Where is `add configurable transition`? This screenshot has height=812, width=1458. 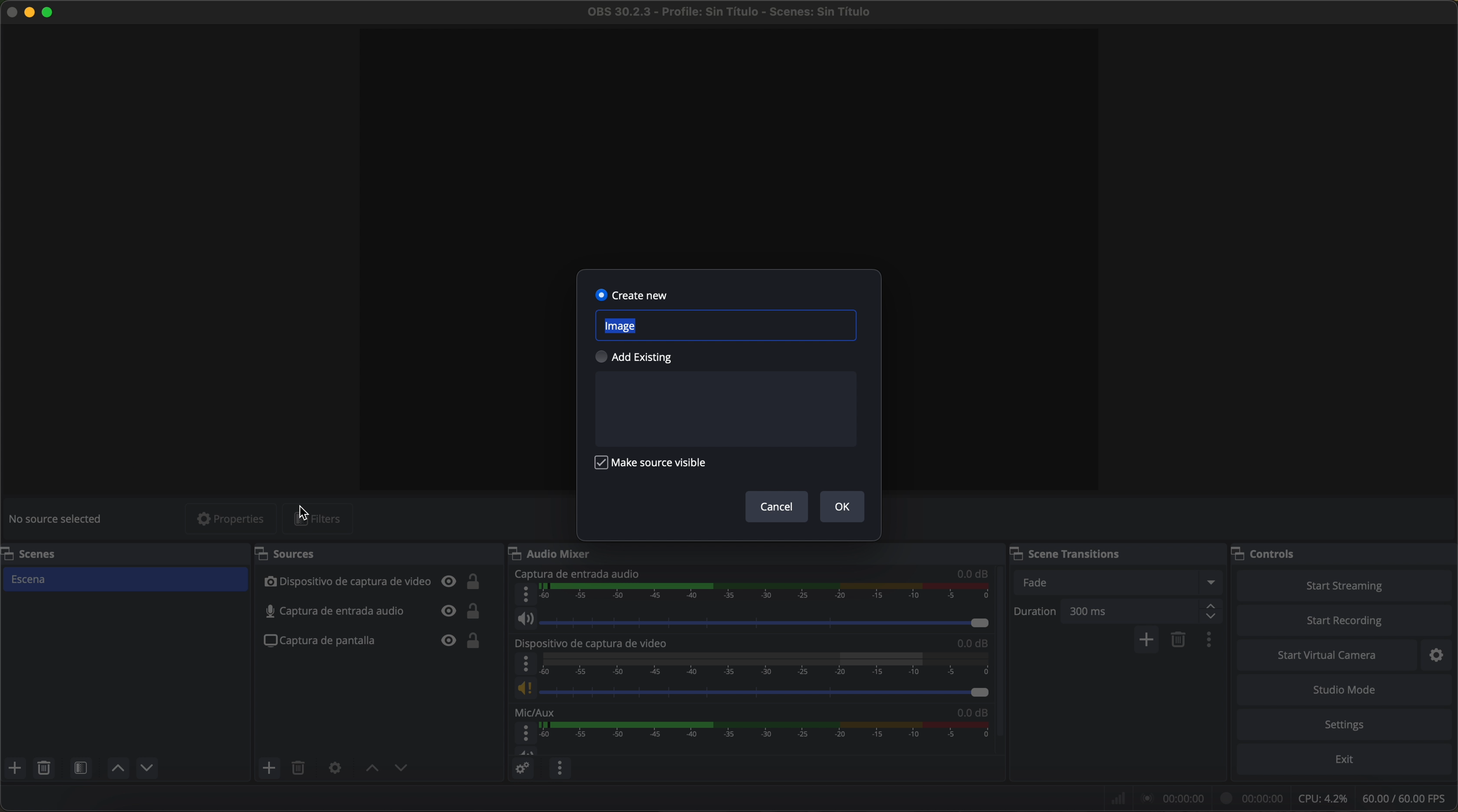
add configurable transition is located at coordinates (1147, 641).